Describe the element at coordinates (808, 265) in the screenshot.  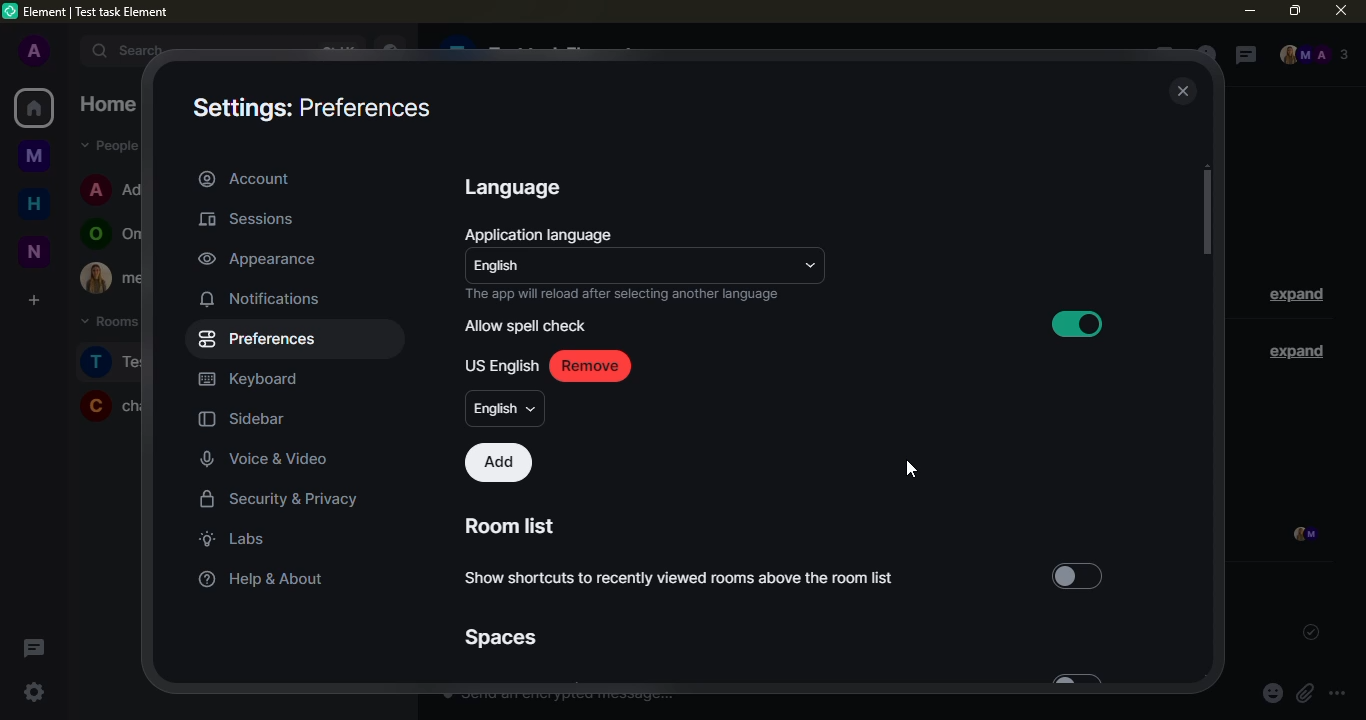
I see `drop down` at that location.